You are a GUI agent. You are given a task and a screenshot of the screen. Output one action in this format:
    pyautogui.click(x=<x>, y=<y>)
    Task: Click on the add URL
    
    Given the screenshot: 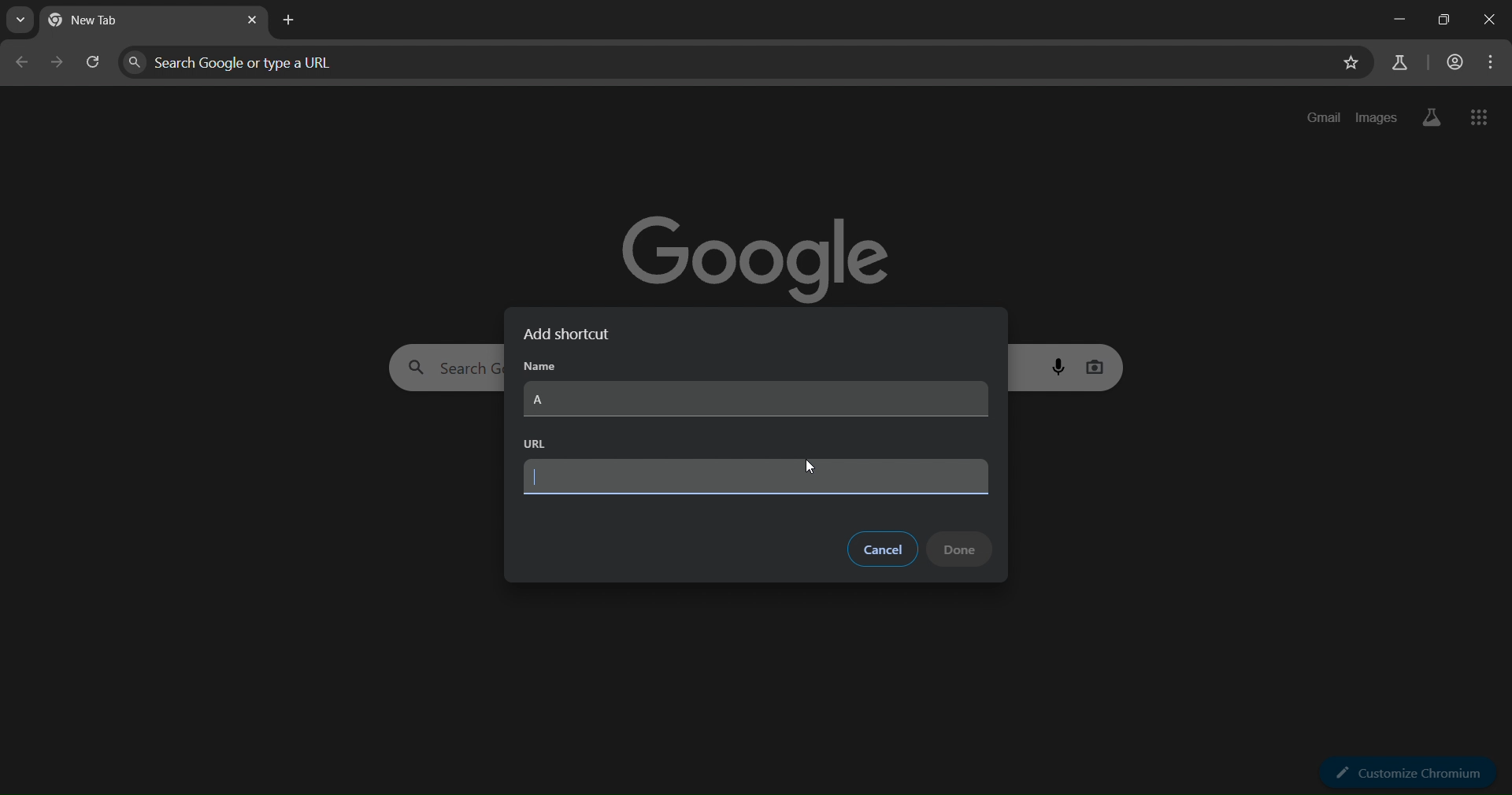 What is the action you would take?
    pyautogui.click(x=755, y=478)
    